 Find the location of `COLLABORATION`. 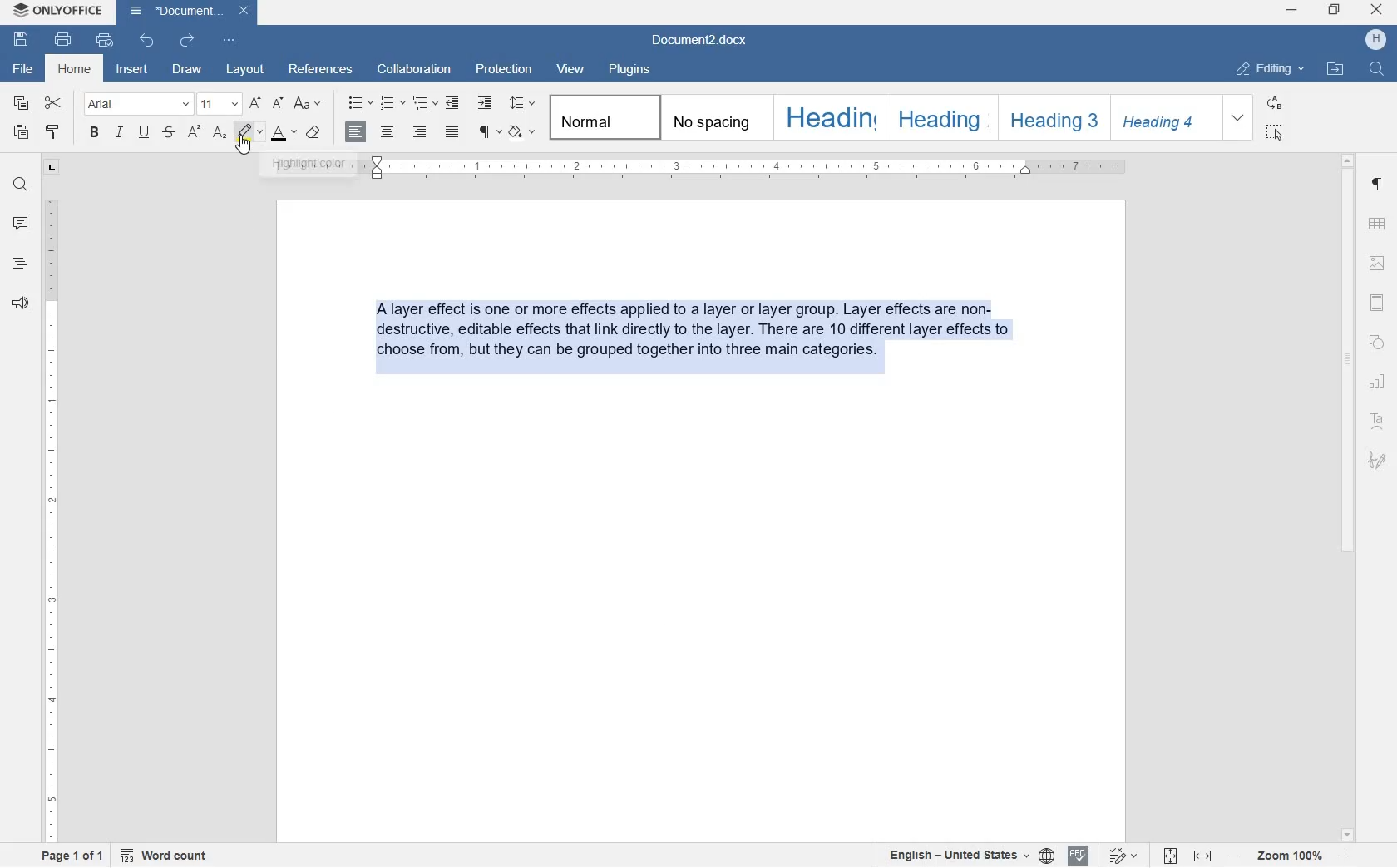

COLLABORATION is located at coordinates (413, 69).